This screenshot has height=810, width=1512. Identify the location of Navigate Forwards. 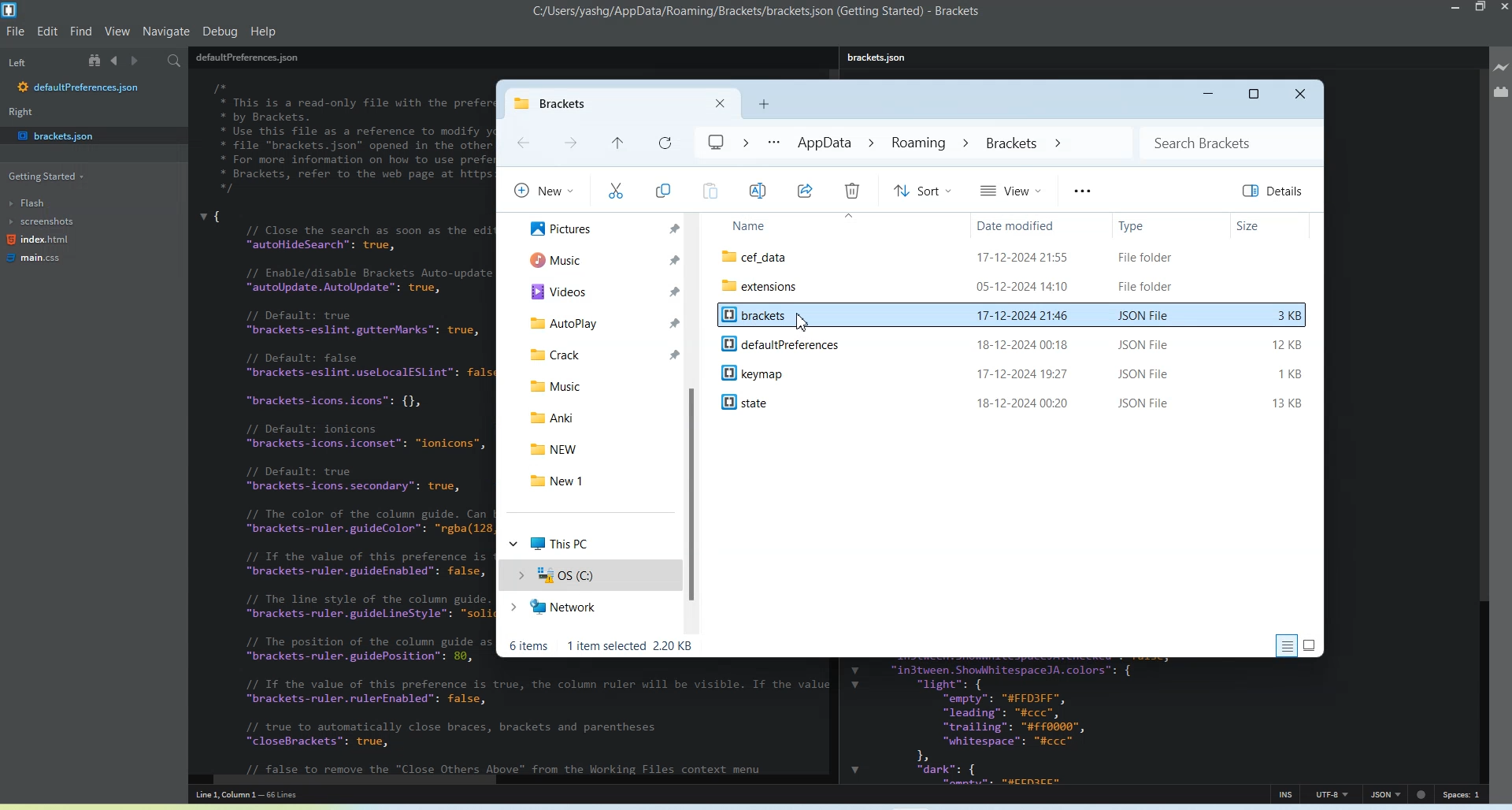
(139, 61).